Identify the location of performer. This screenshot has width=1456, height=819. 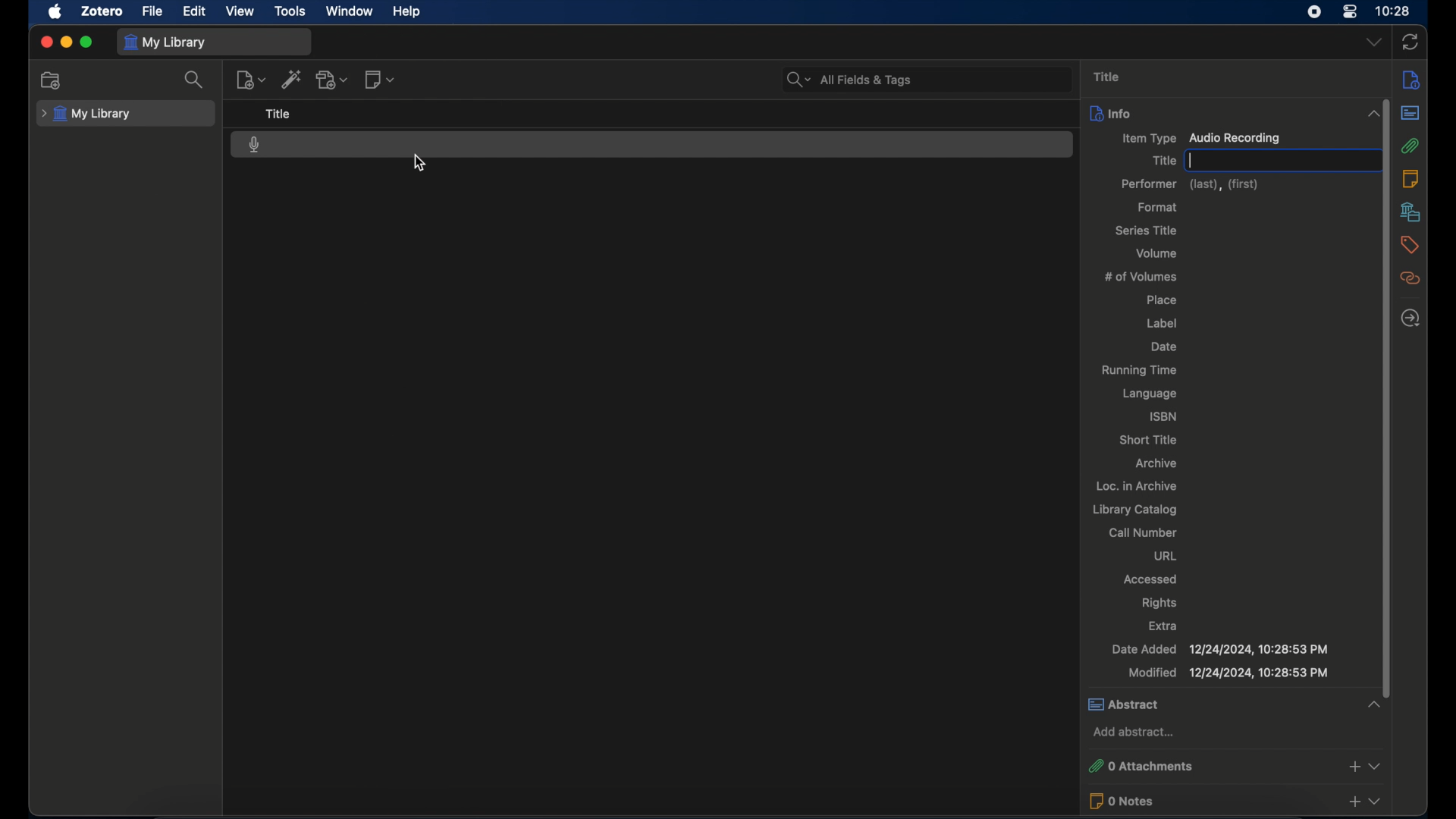
(1191, 184).